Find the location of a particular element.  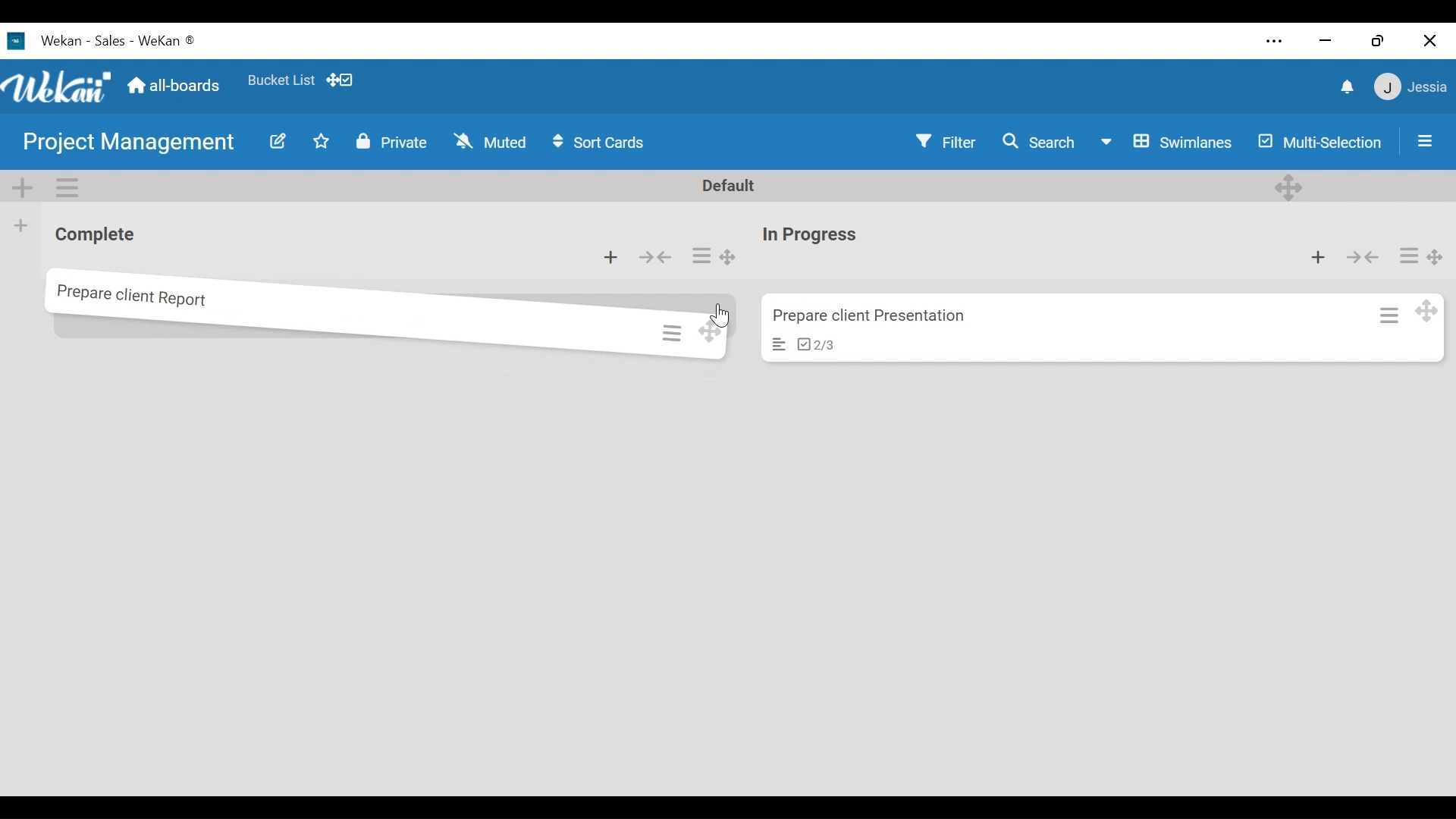

cursor is located at coordinates (722, 309).